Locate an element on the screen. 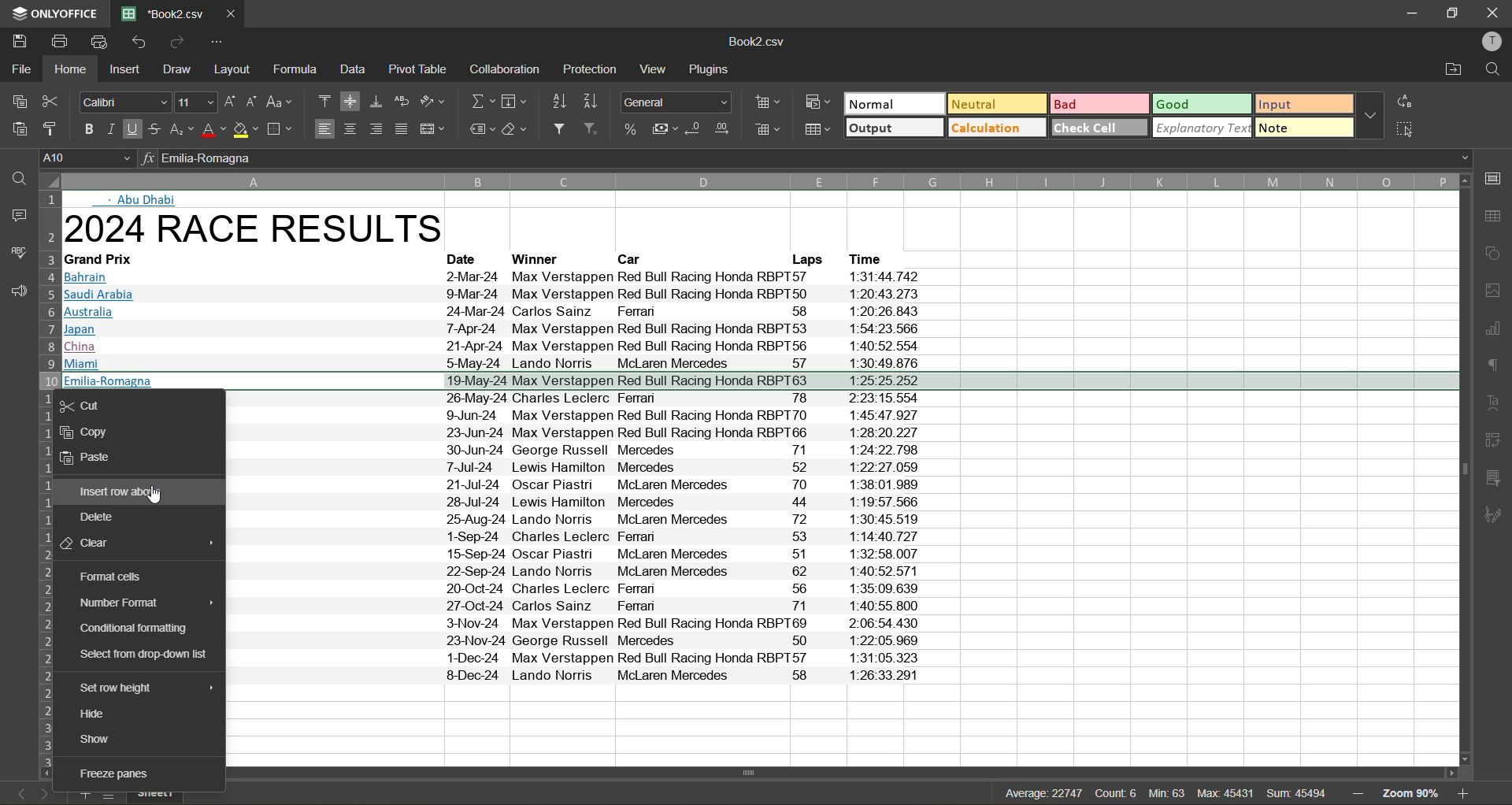 The width and height of the screenshot is (1512, 805). align center is located at coordinates (349, 129).